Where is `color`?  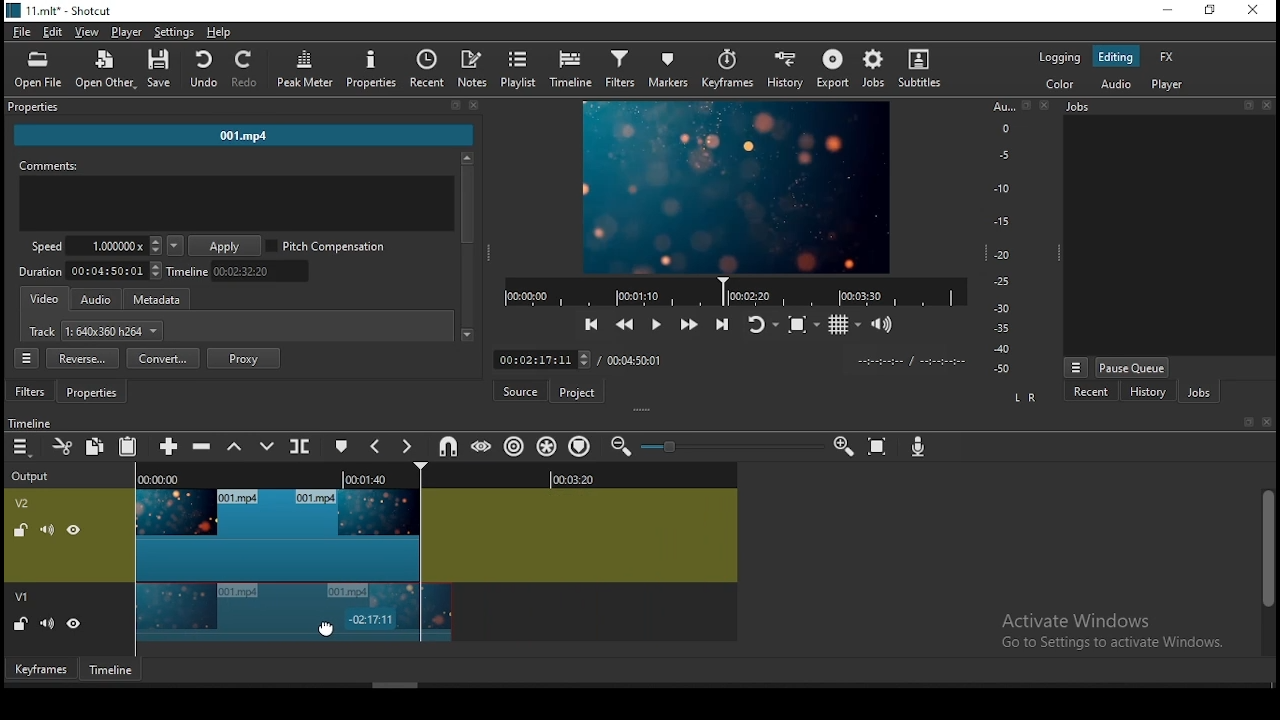 color is located at coordinates (1059, 82).